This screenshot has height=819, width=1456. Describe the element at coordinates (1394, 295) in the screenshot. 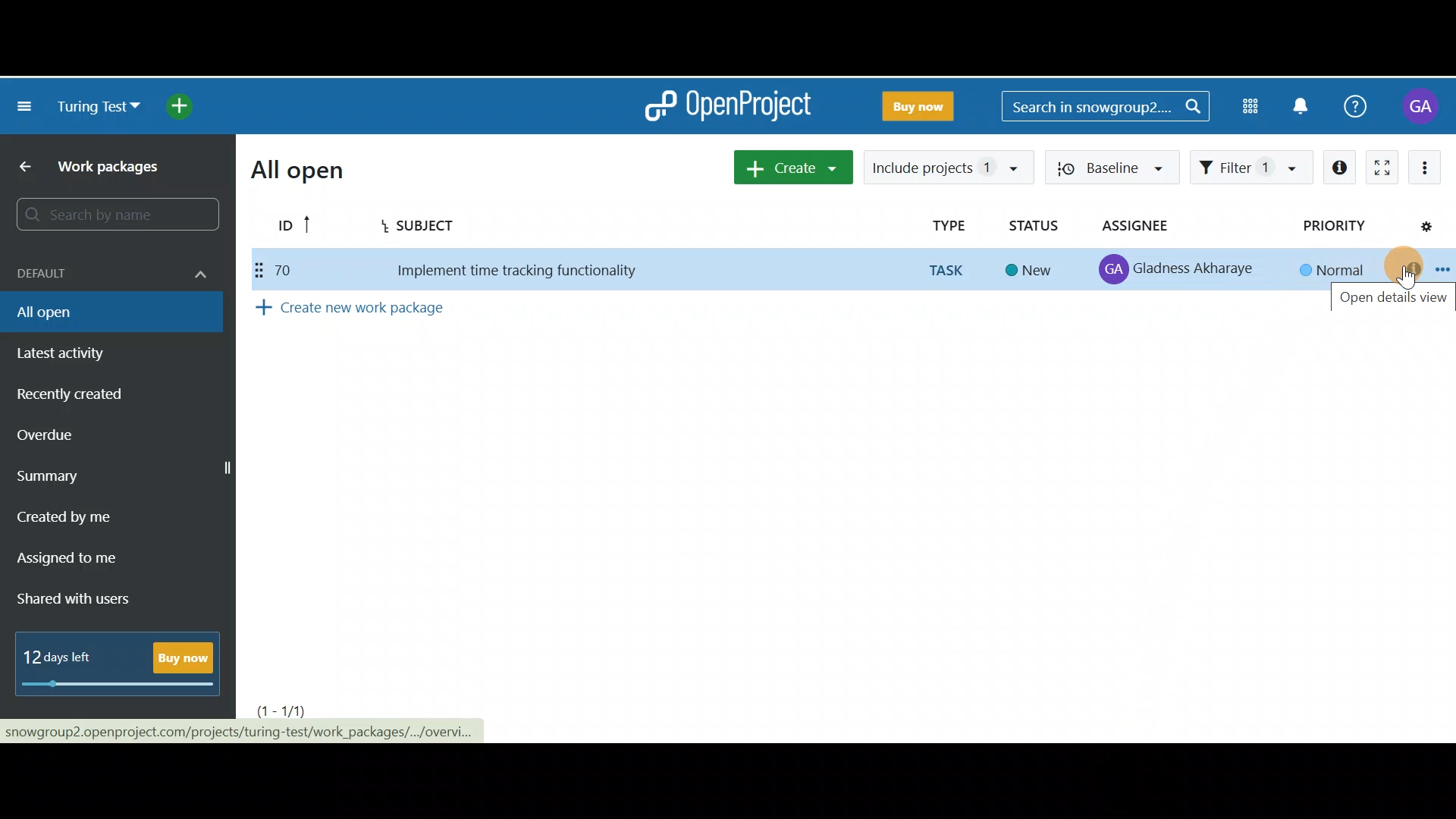

I see `Open details view` at that location.